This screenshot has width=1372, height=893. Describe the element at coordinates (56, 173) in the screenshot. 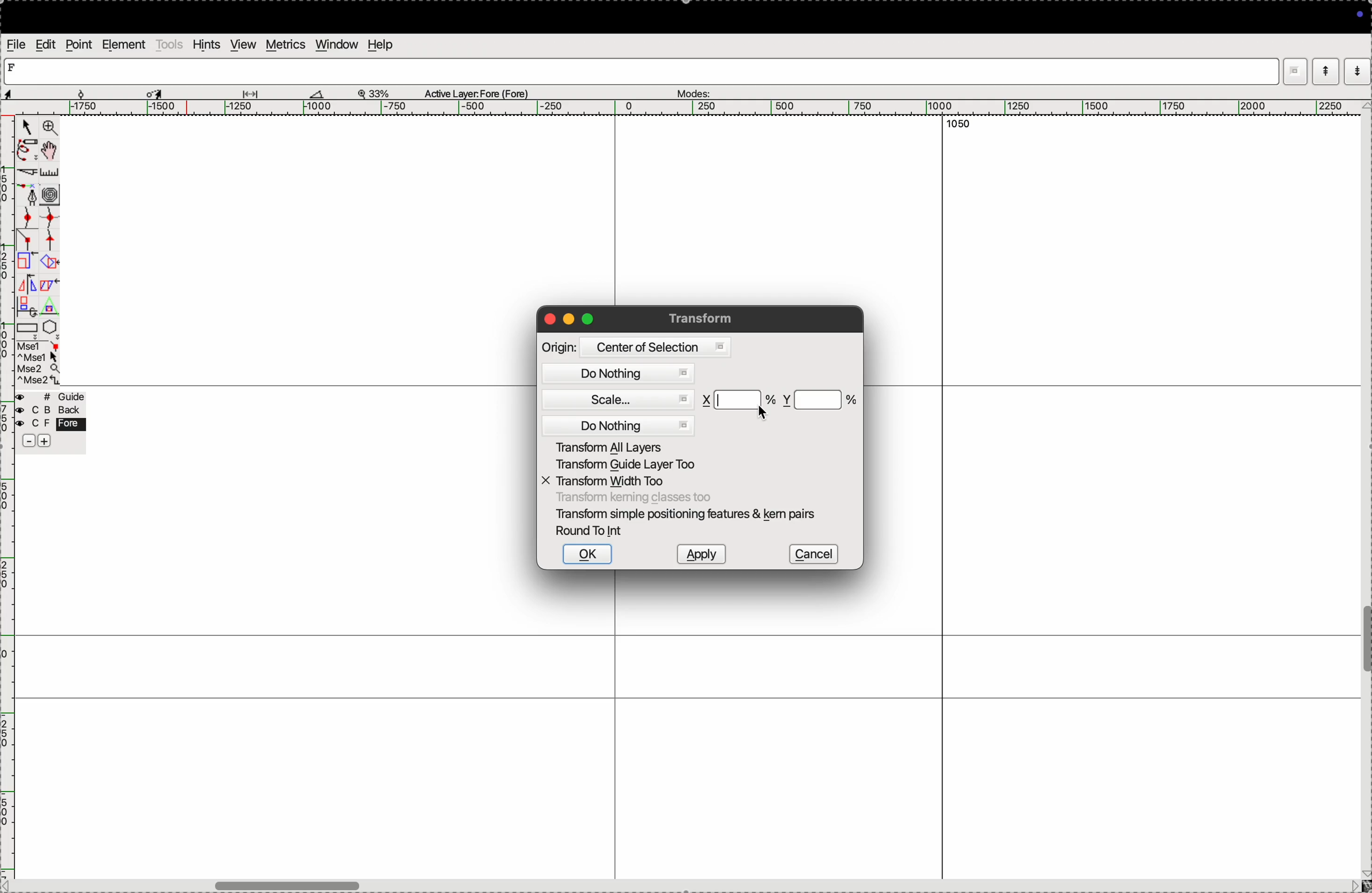

I see `ruler` at that location.